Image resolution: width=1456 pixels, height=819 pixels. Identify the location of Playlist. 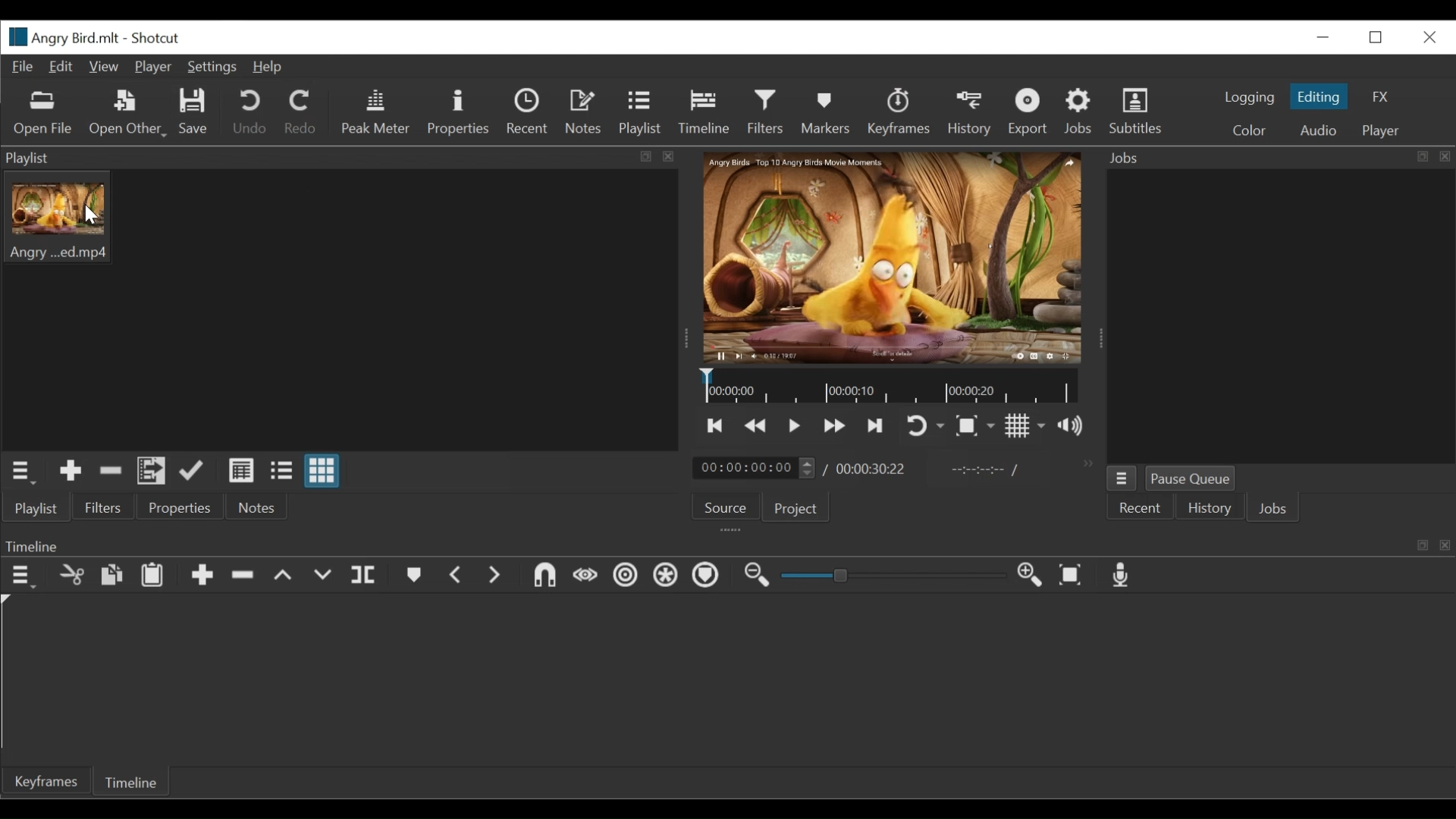
(642, 113).